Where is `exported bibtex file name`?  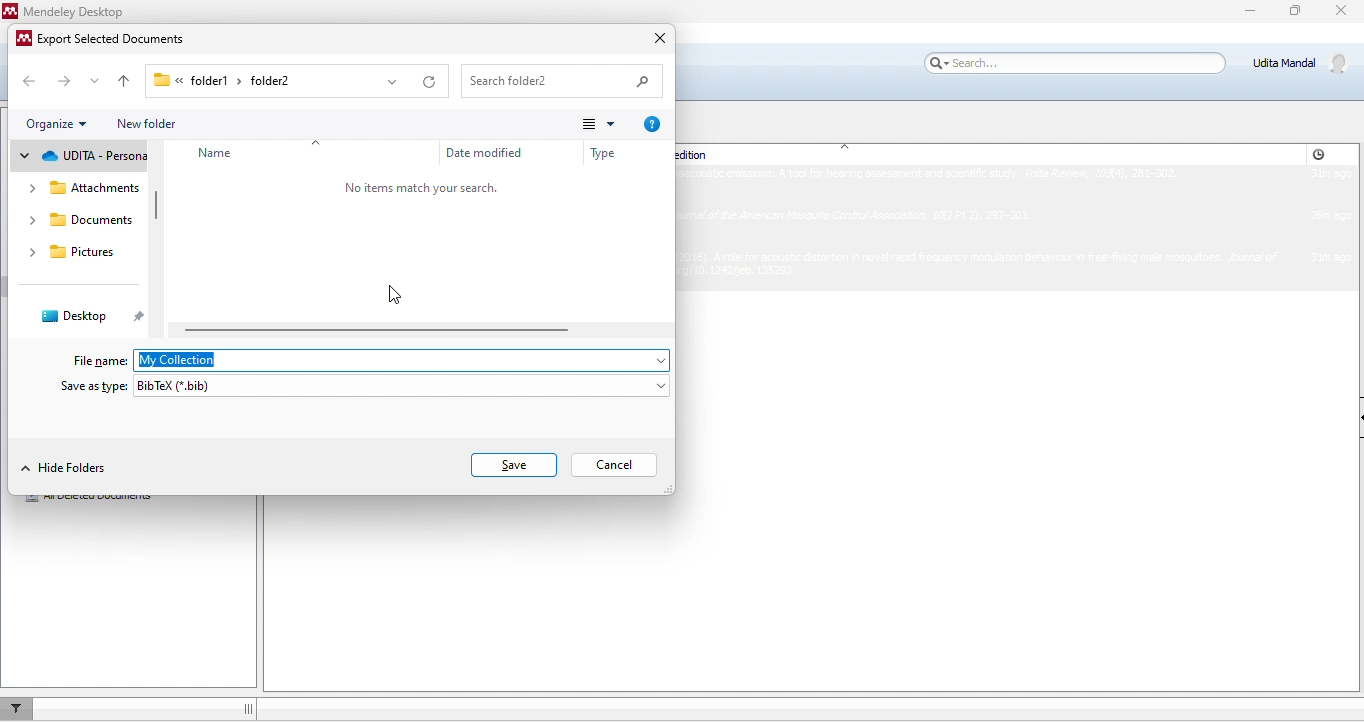
exported bibtex file name is located at coordinates (401, 361).